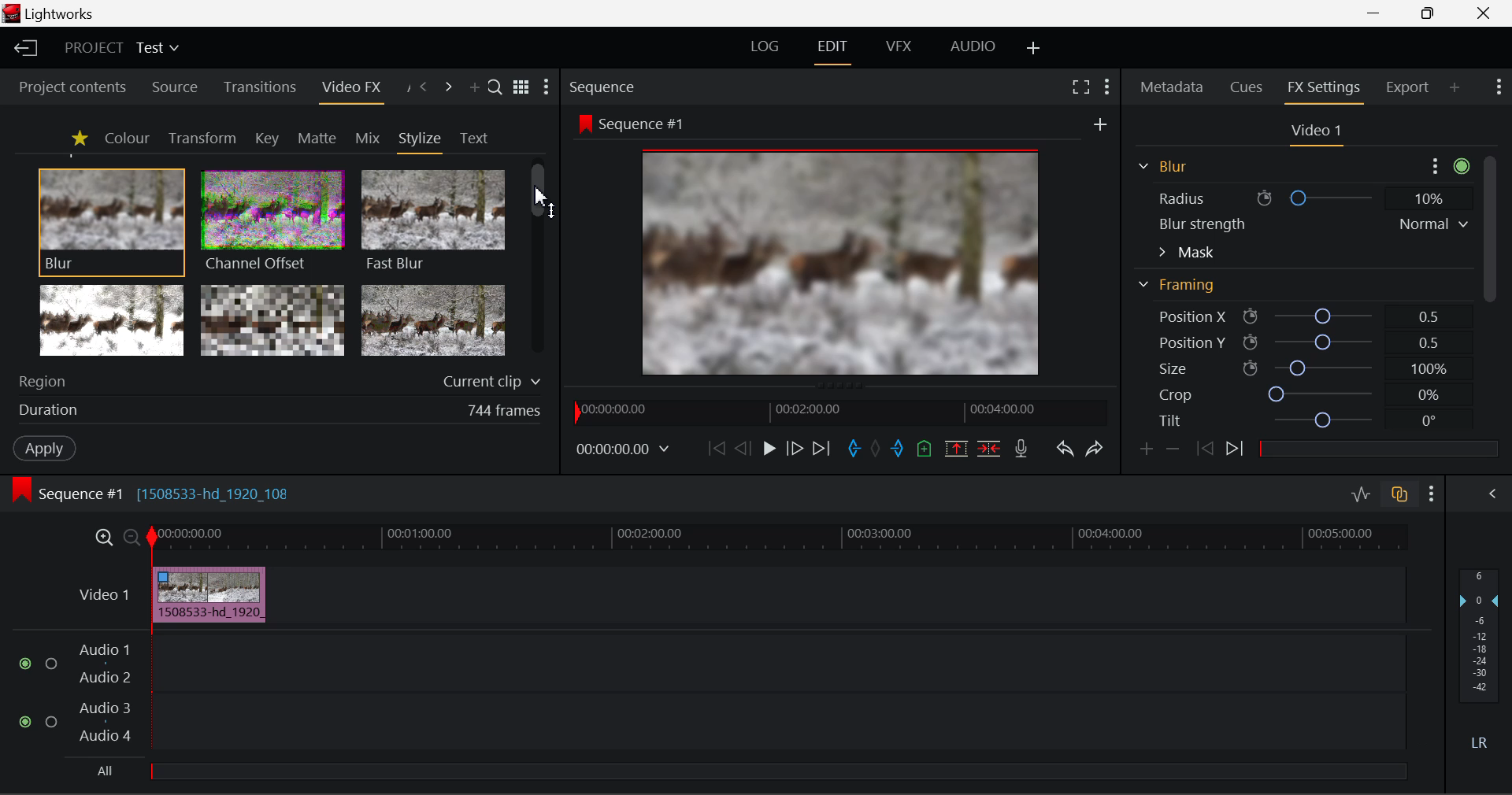 The height and width of the screenshot is (795, 1512). I want to click on Timeline Zoom Out, so click(131, 536).